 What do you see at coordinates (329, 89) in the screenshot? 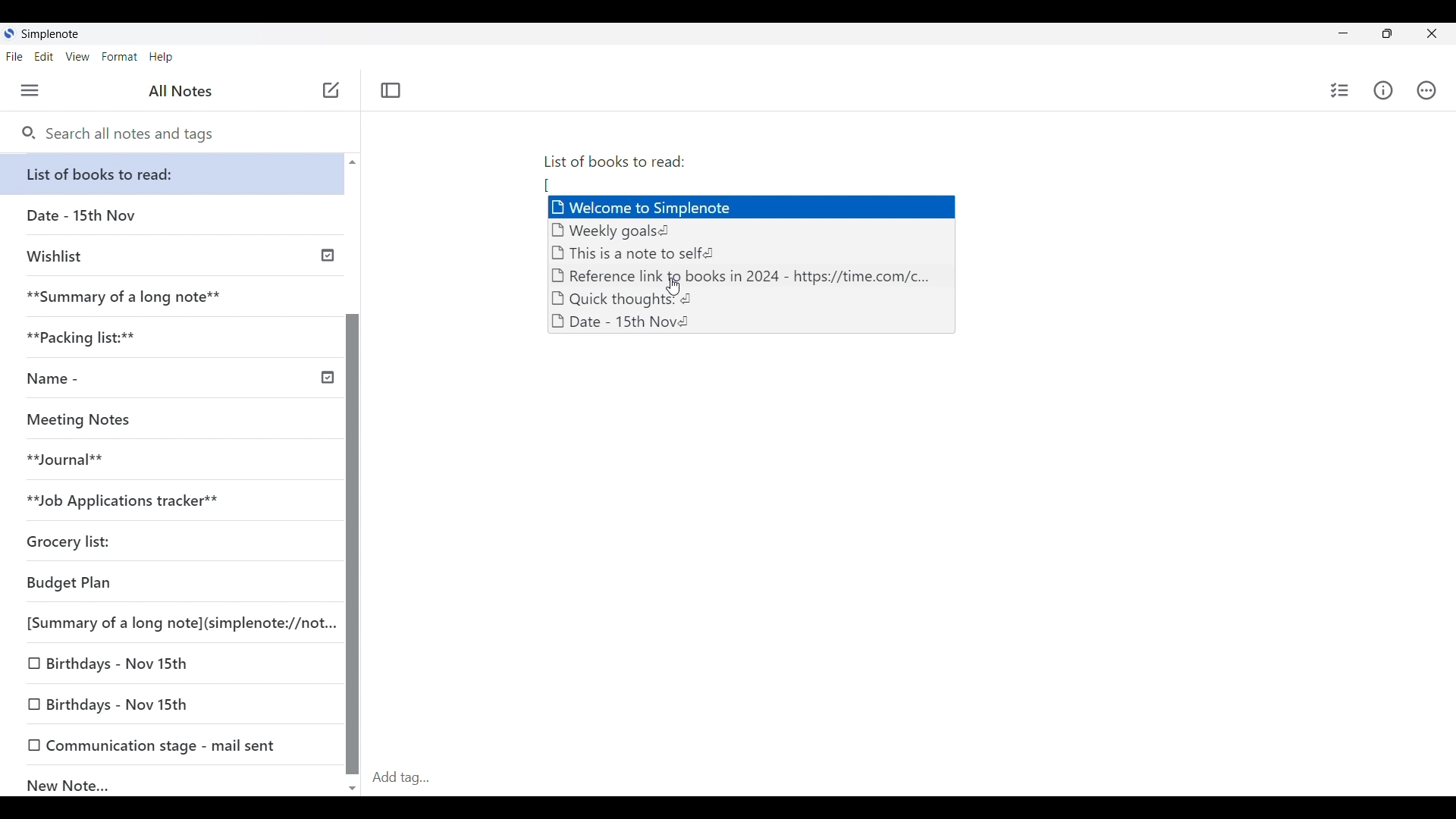
I see `add note` at bounding box center [329, 89].